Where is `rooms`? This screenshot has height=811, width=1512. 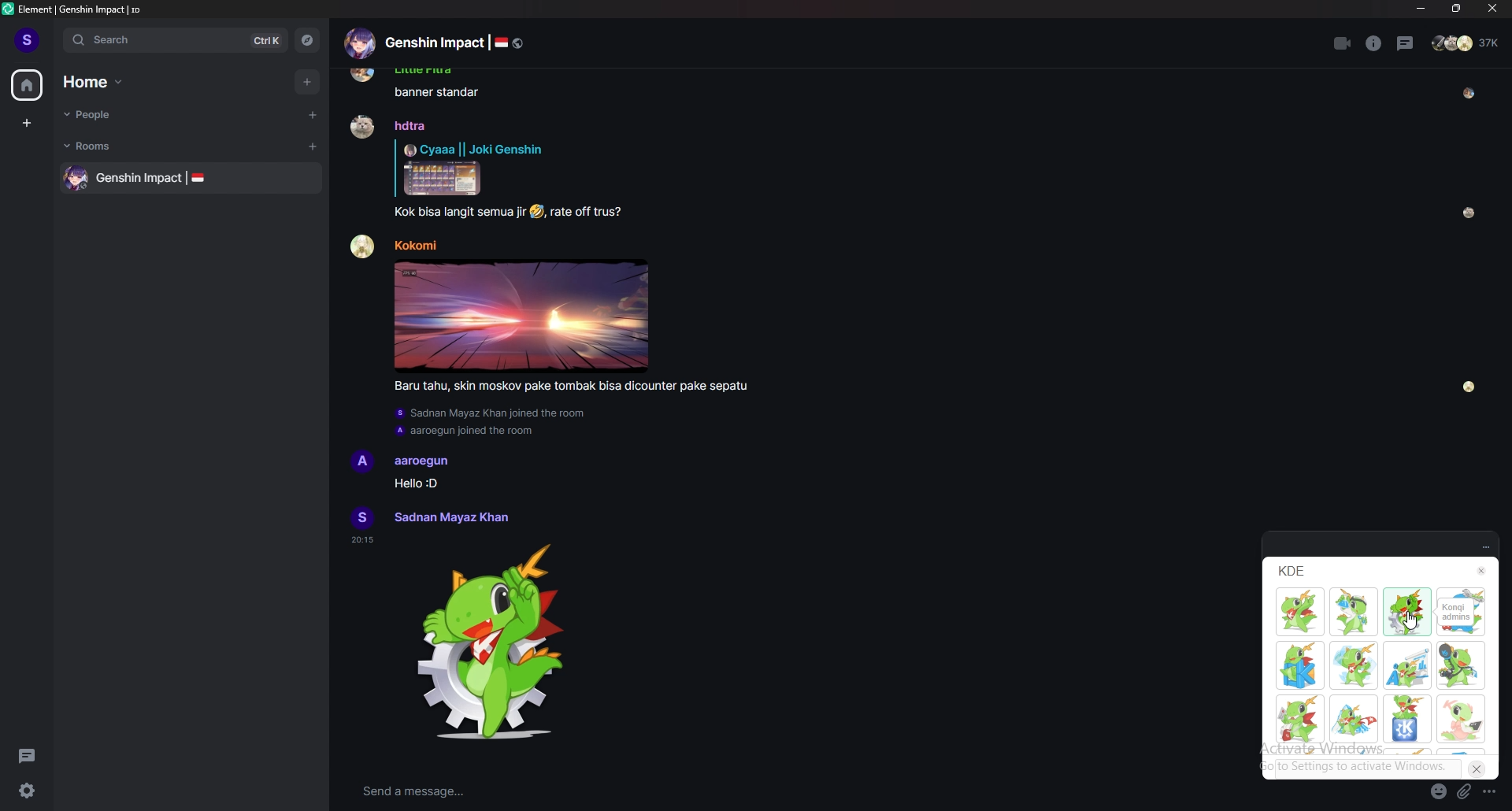 rooms is located at coordinates (106, 146).